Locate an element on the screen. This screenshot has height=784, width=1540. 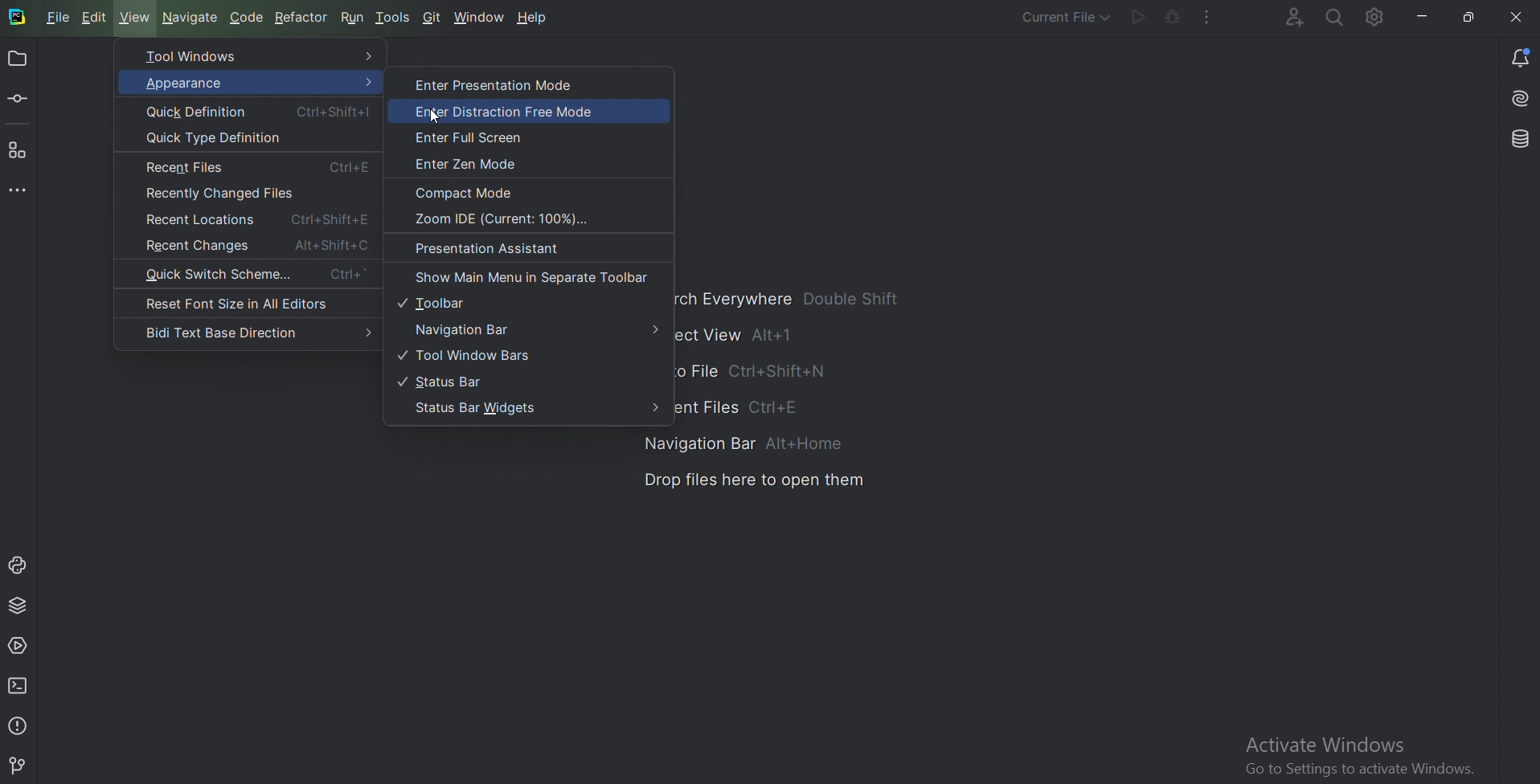
Navigation bar is located at coordinates (533, 329).